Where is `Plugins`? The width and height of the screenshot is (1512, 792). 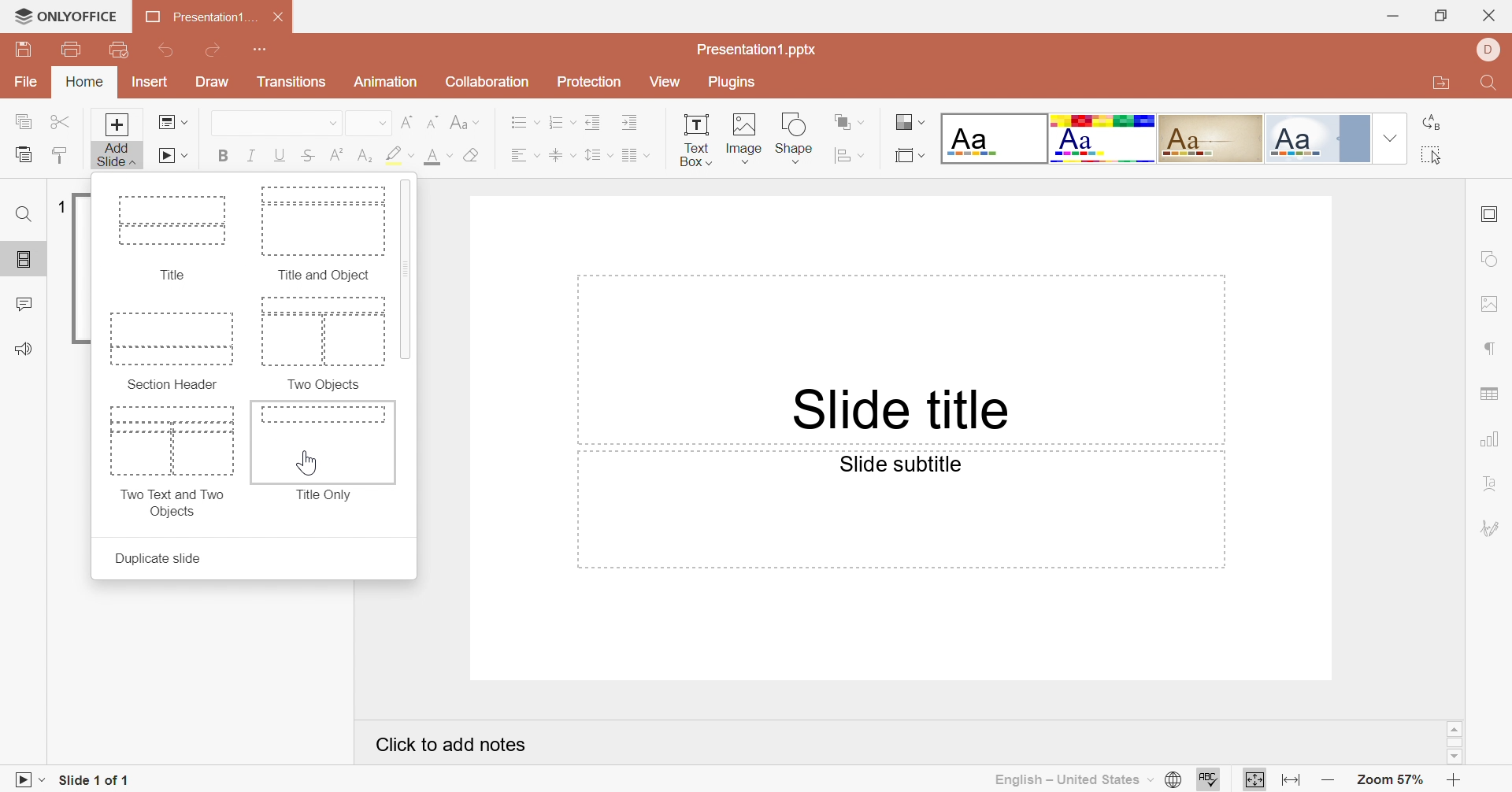 Plugins is located at coordinates (735, 85).